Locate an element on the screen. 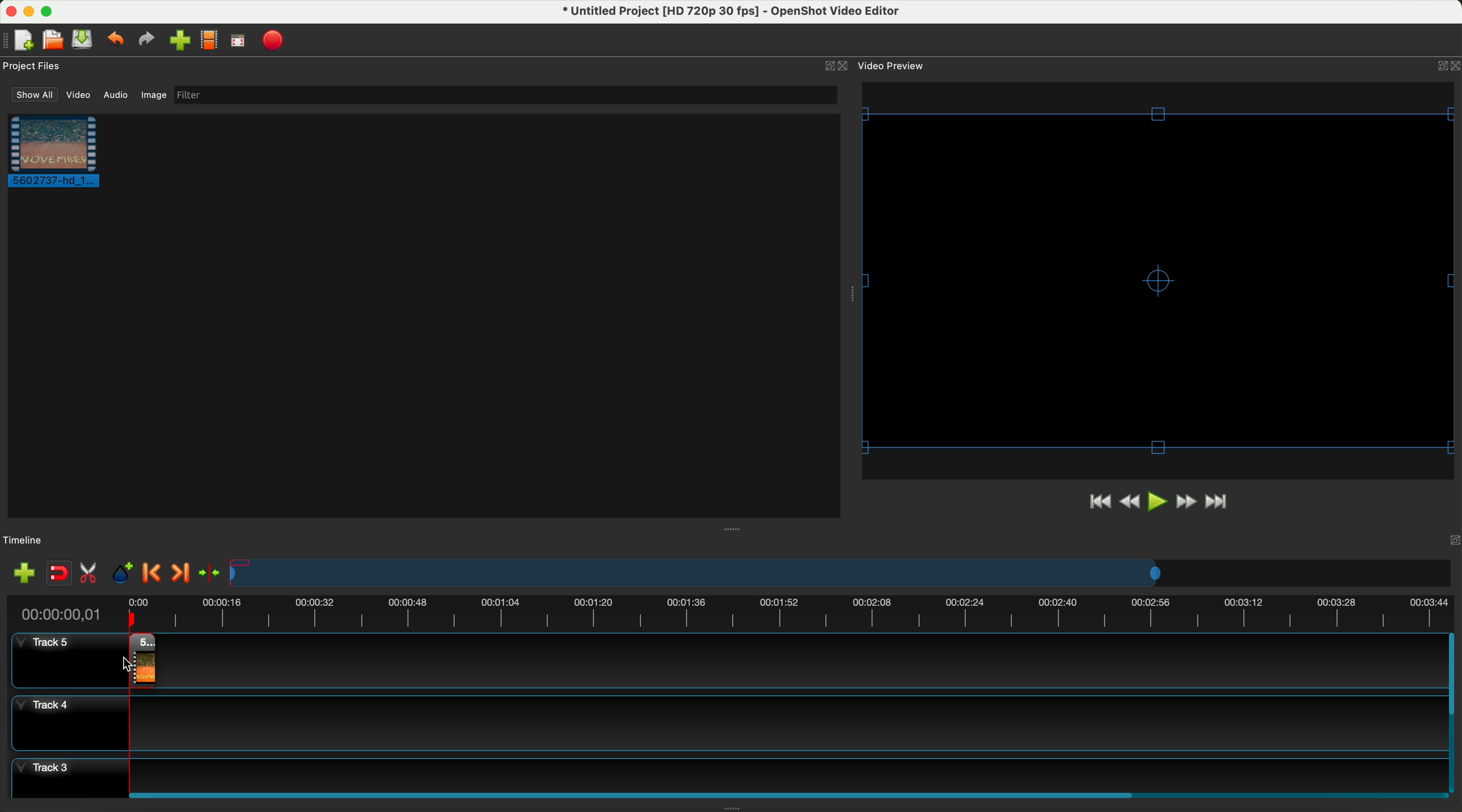  rewind is located at coordinates (1128, 504).